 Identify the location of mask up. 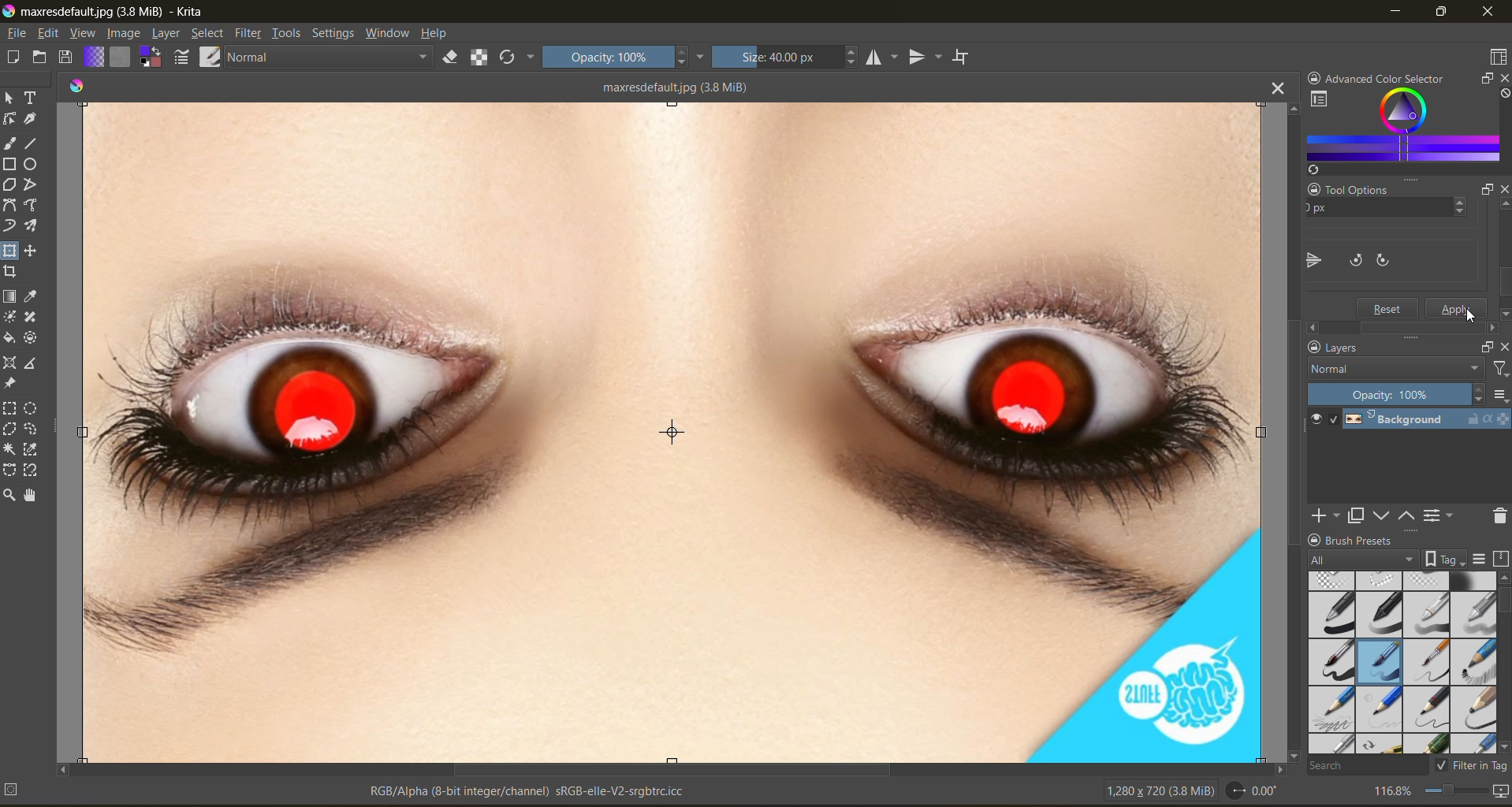
(1410, 516).